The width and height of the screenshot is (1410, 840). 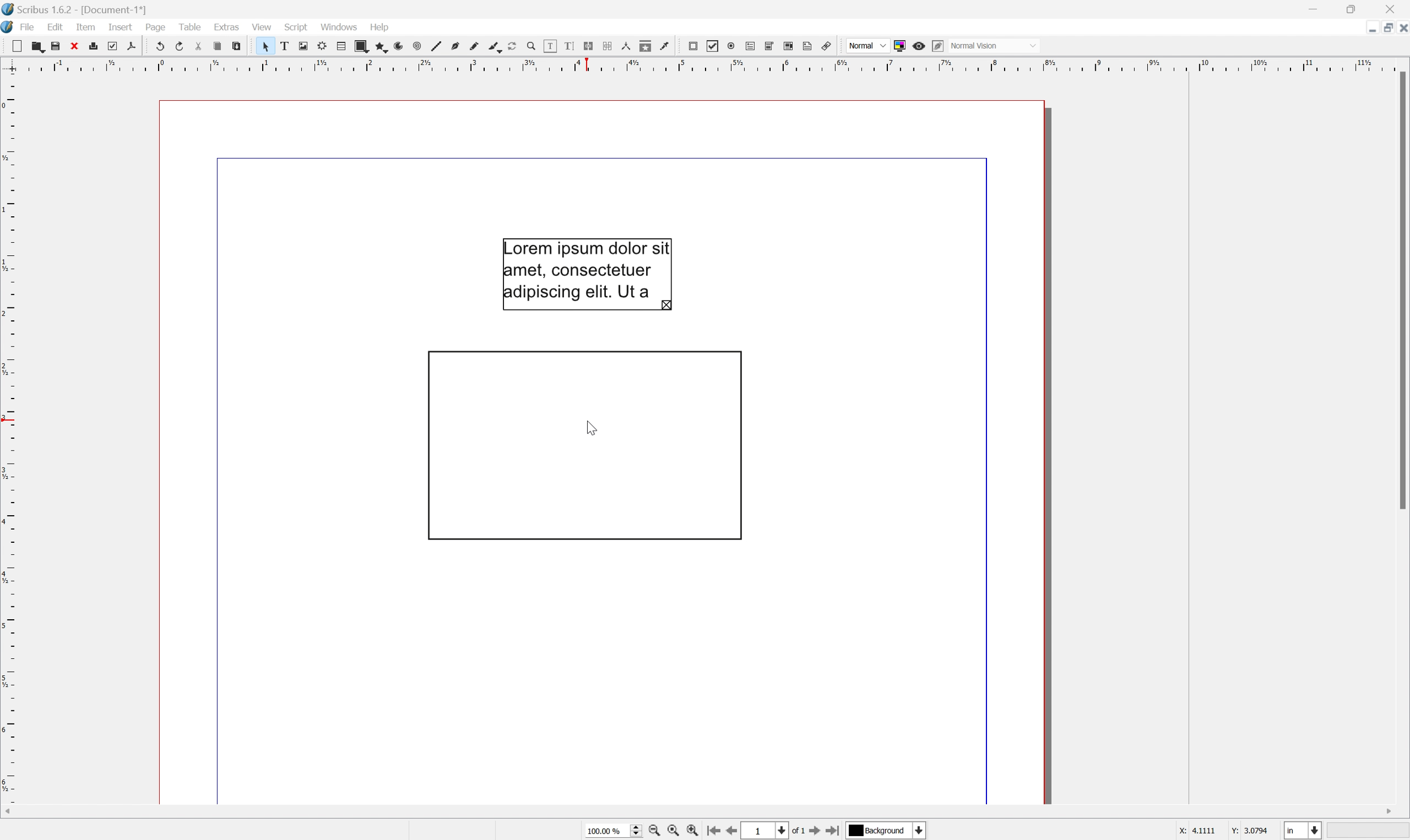 What do you see at coordinates (715, 832) in the screenshot?
I see `Go to the first page` at bounding box center [715, 832].